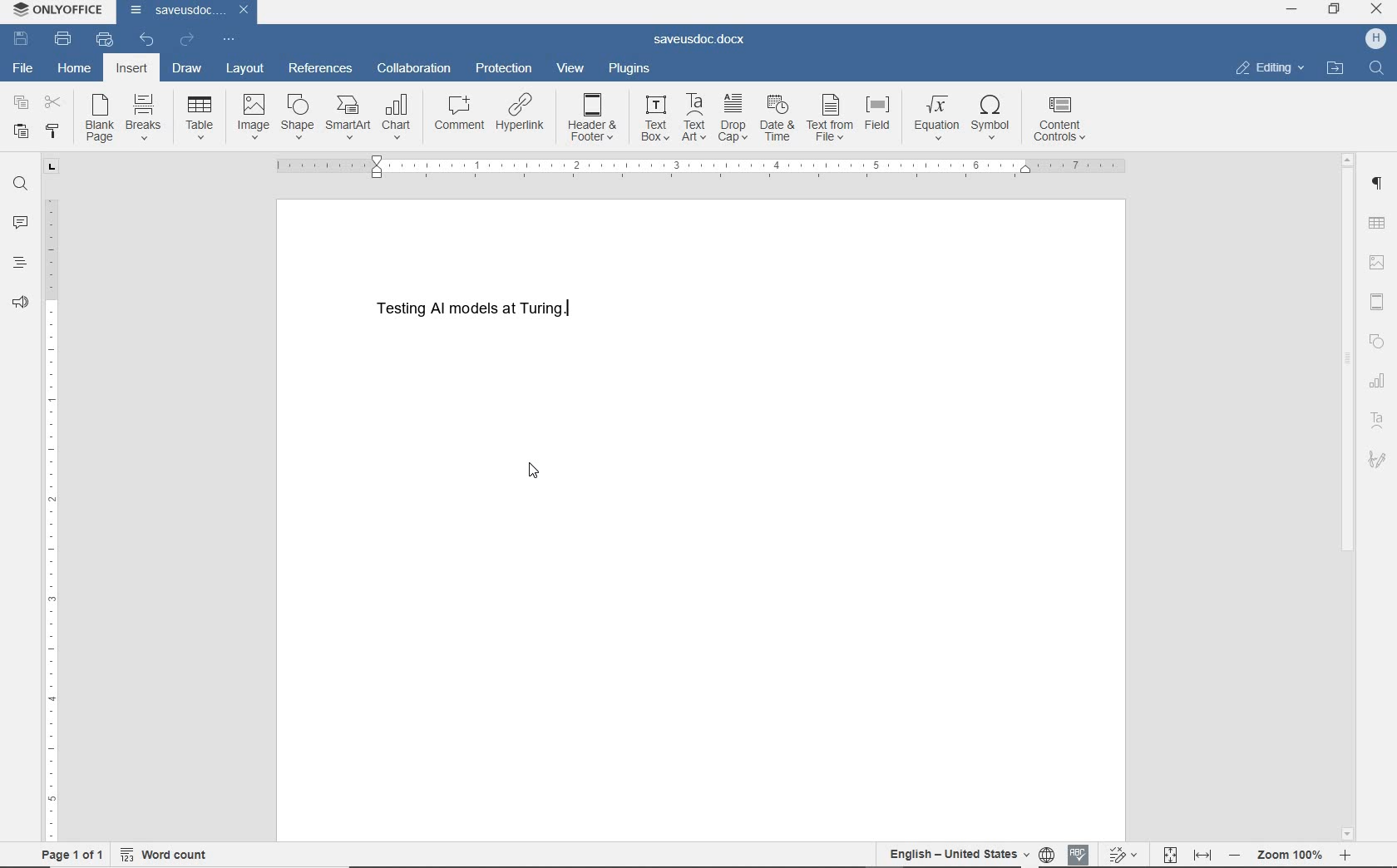  I want to click on Fit to page, so click(1170, 855).